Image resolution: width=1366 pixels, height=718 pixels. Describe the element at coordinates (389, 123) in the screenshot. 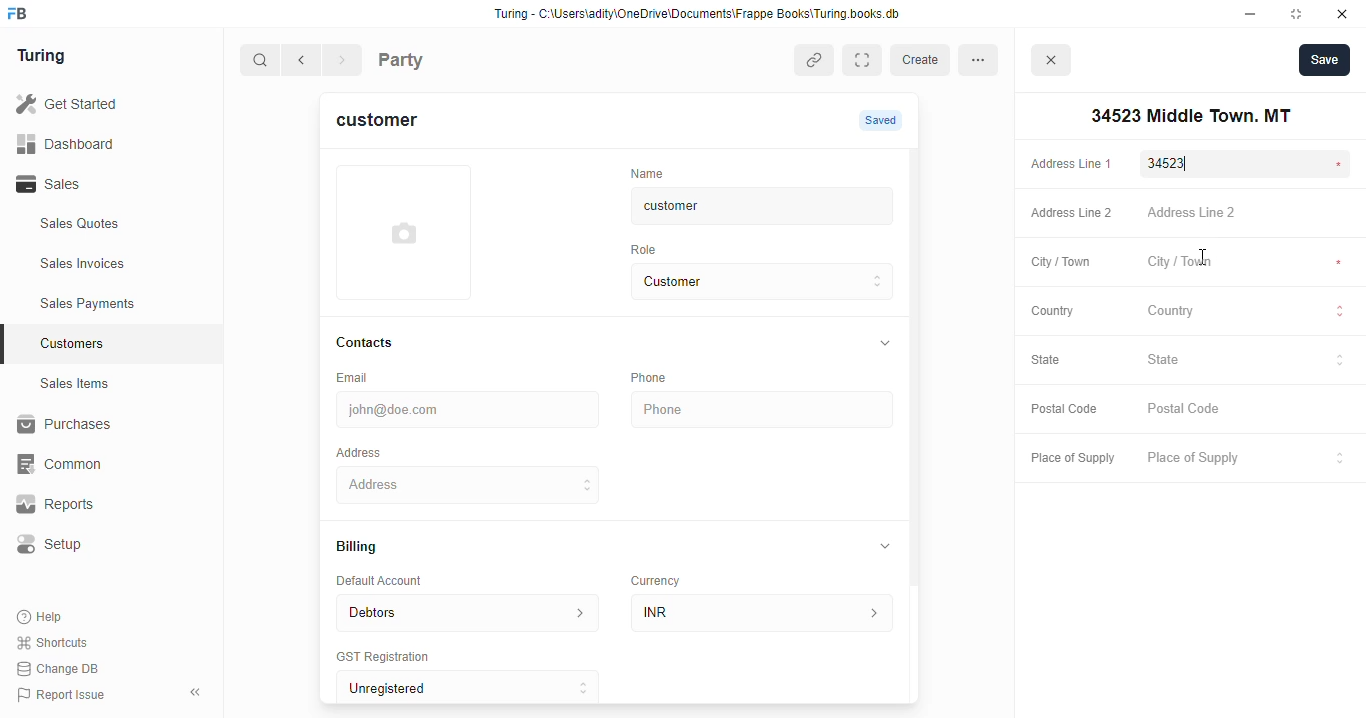

I see `customer` at that location.